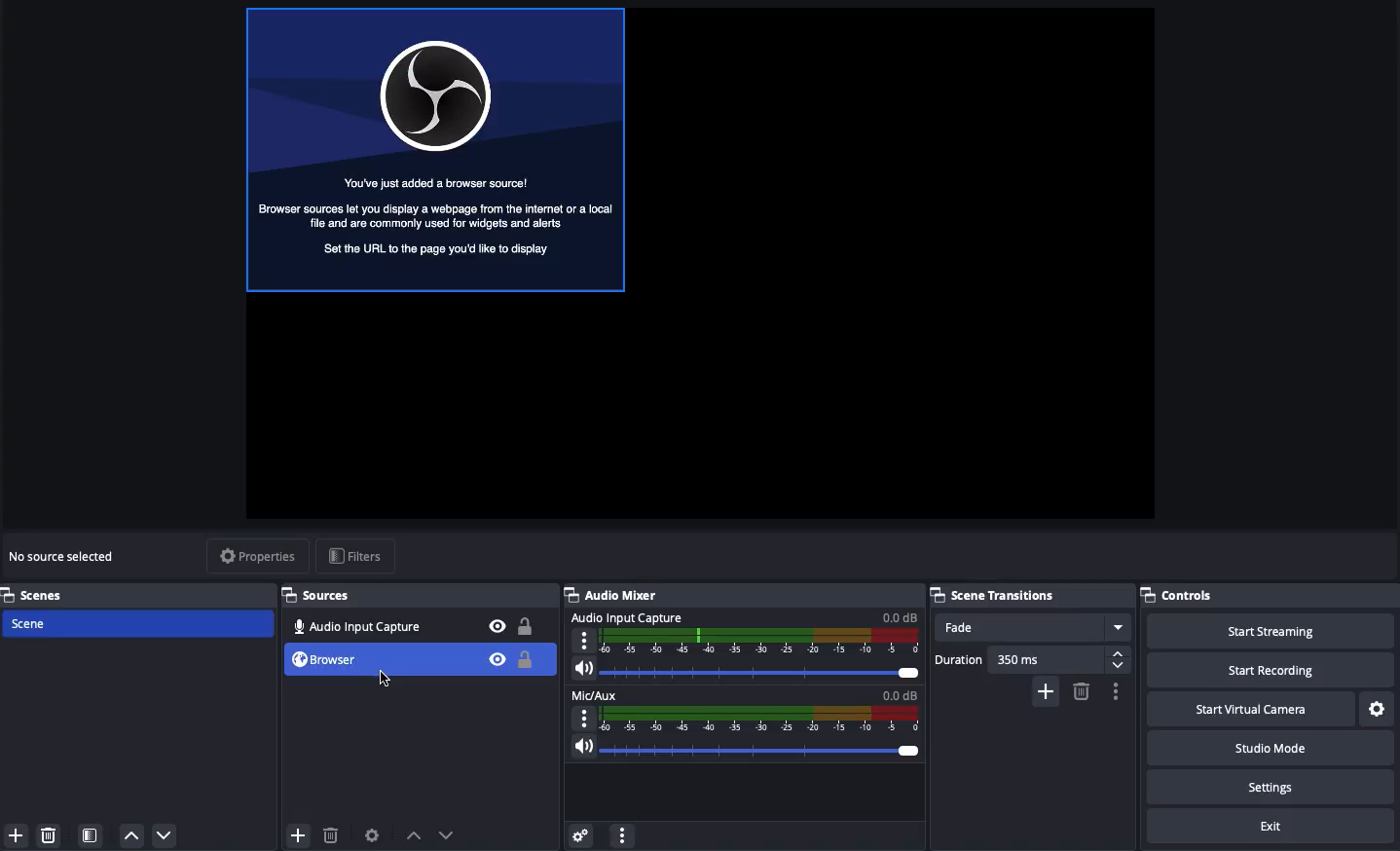 Image resolution: width=1400 pixels, height=851 pixels. I want to click on Mic aux, so click(745, 708).